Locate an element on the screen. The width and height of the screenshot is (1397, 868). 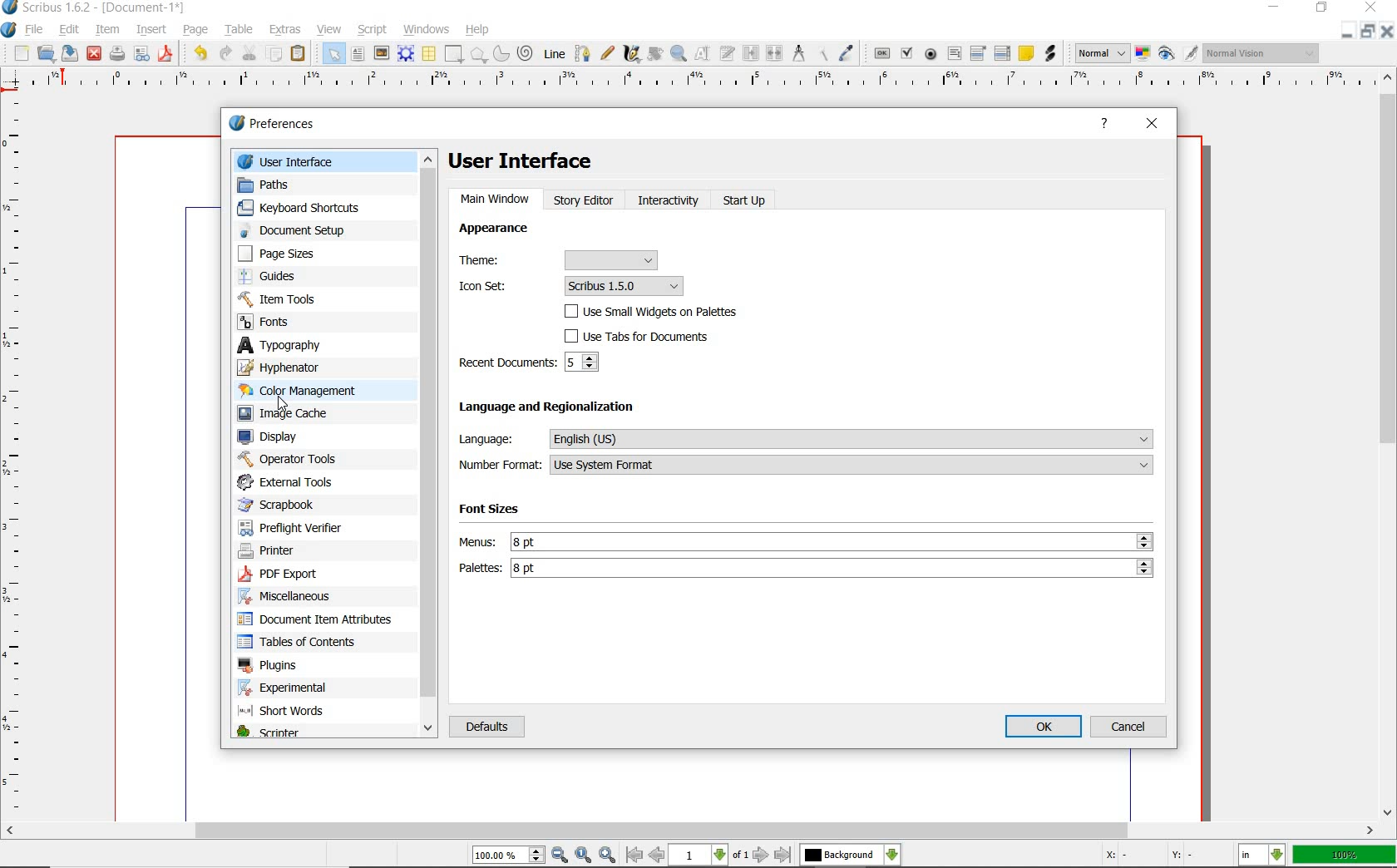
table is located at coordinates (239, 28).